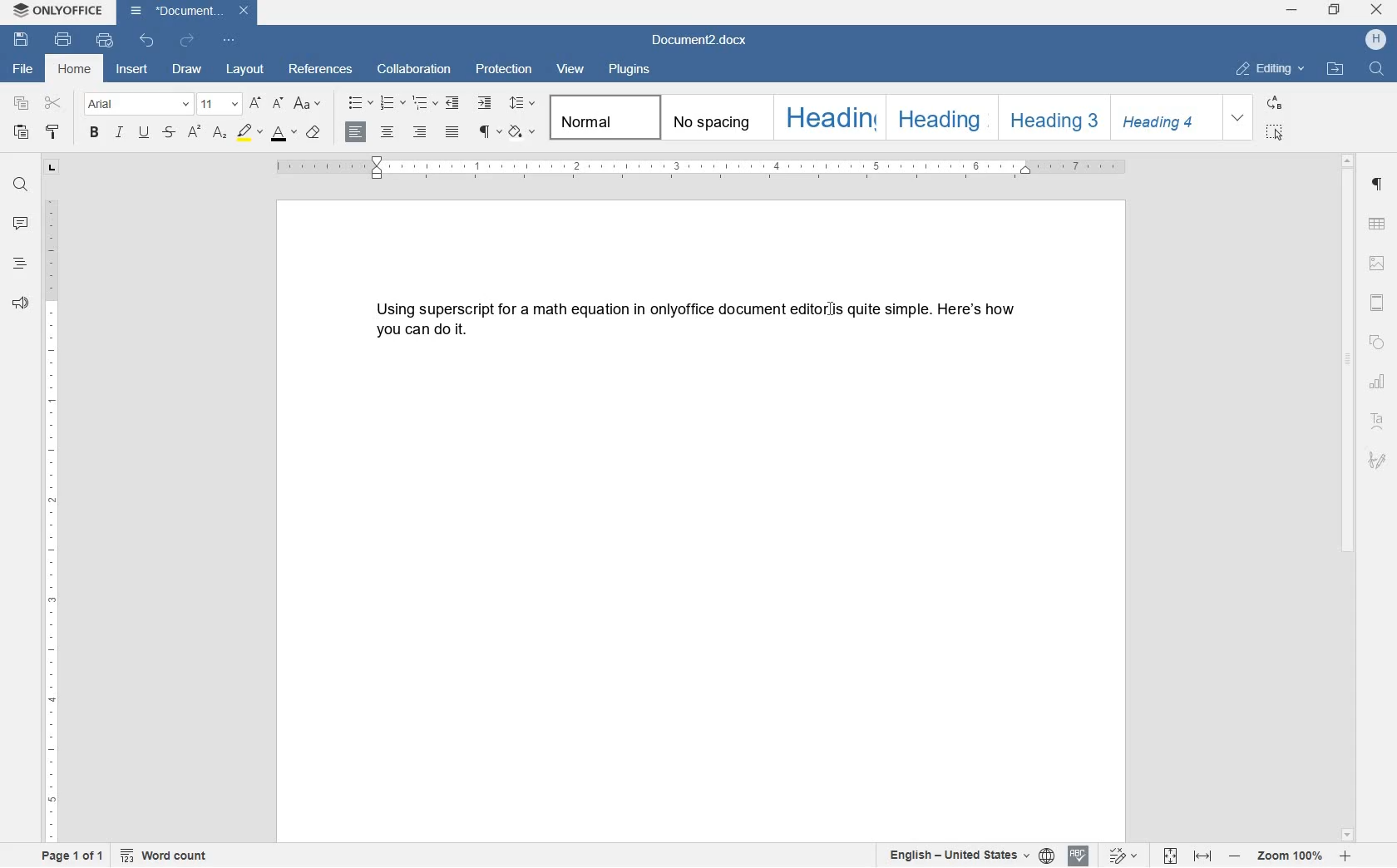 Image resolution: width=1397 pixels, height=868 pixels. What do you see at coordinates (1378, 224) in the screenshot?
I see `table` at bounding box center [1378, 224].